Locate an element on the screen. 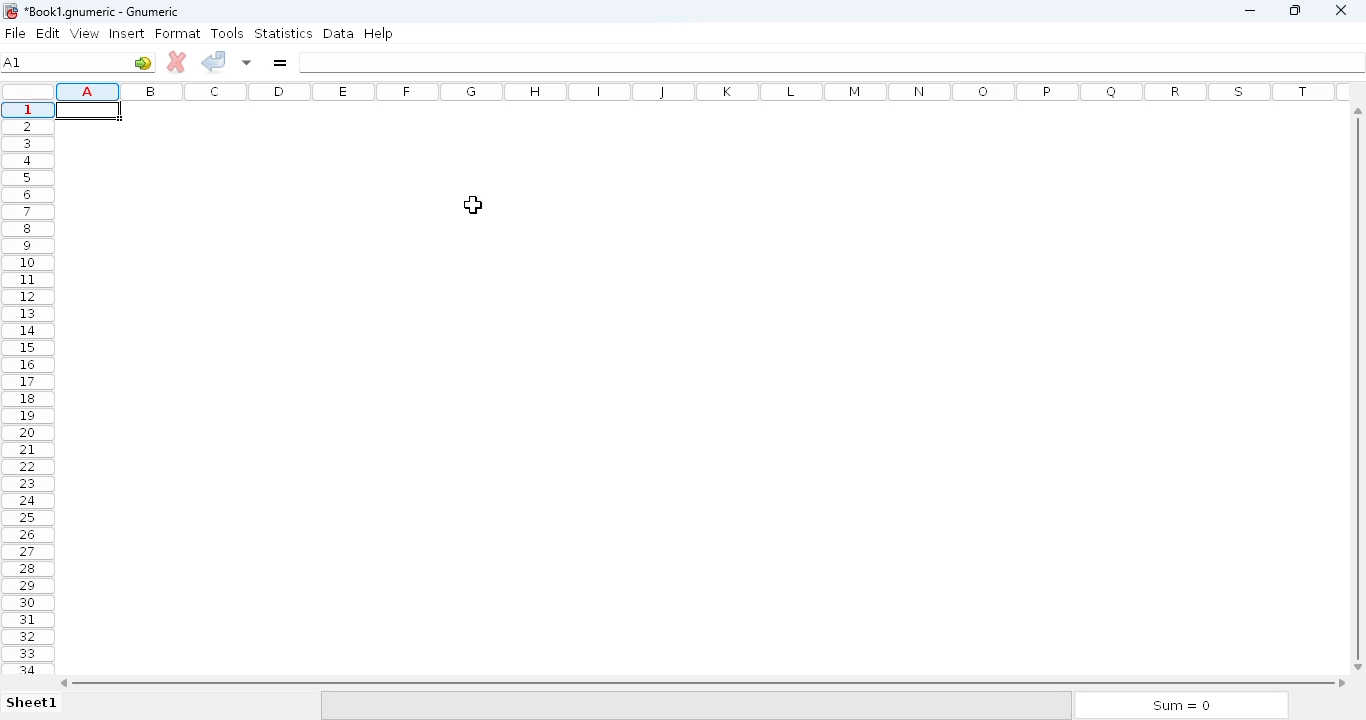  format is located at coordinates (178, 33).